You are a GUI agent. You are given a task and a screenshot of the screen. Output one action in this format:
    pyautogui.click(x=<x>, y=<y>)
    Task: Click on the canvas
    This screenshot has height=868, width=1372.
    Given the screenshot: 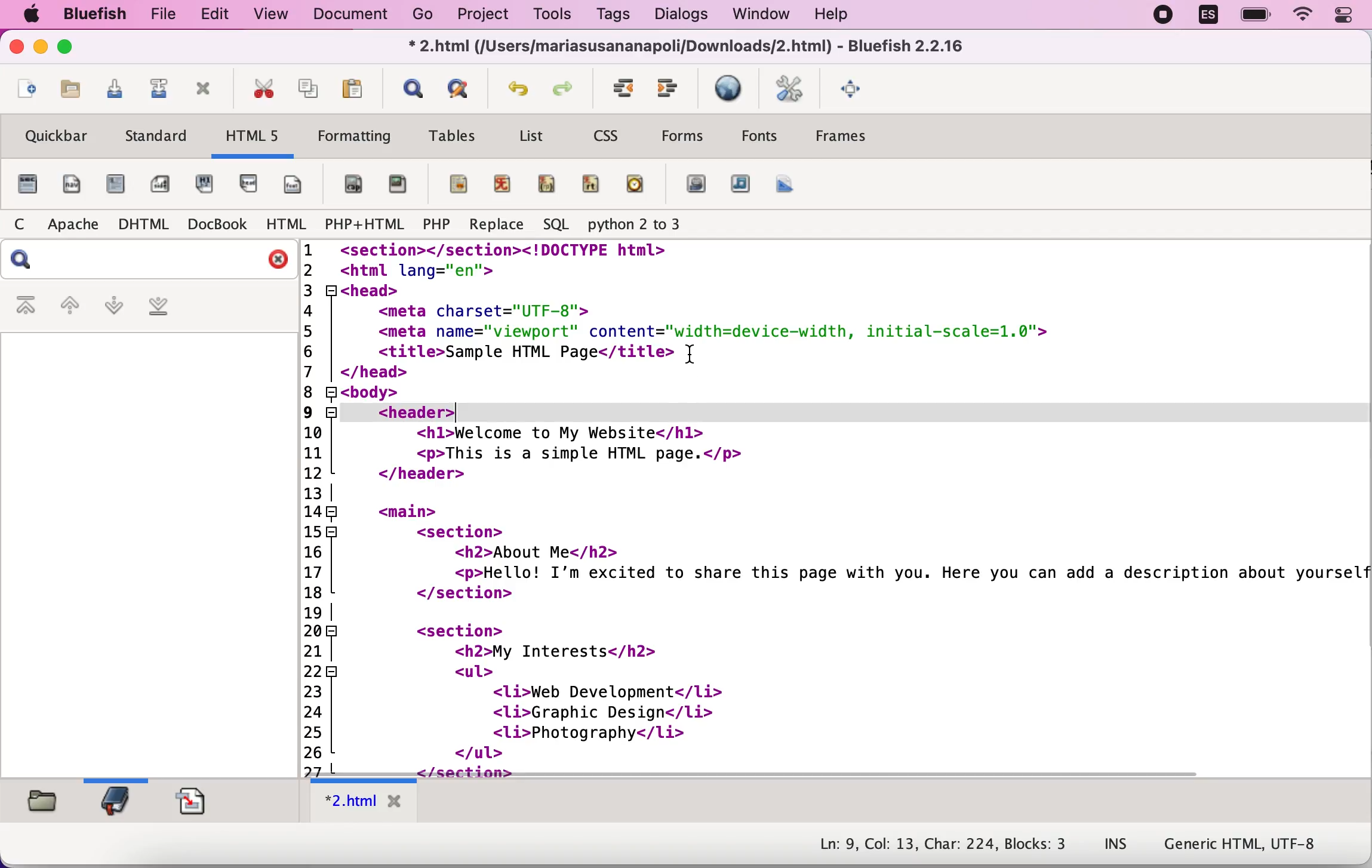 What is the action you would take?
    pyautogui.click(x=787, y=184)
    